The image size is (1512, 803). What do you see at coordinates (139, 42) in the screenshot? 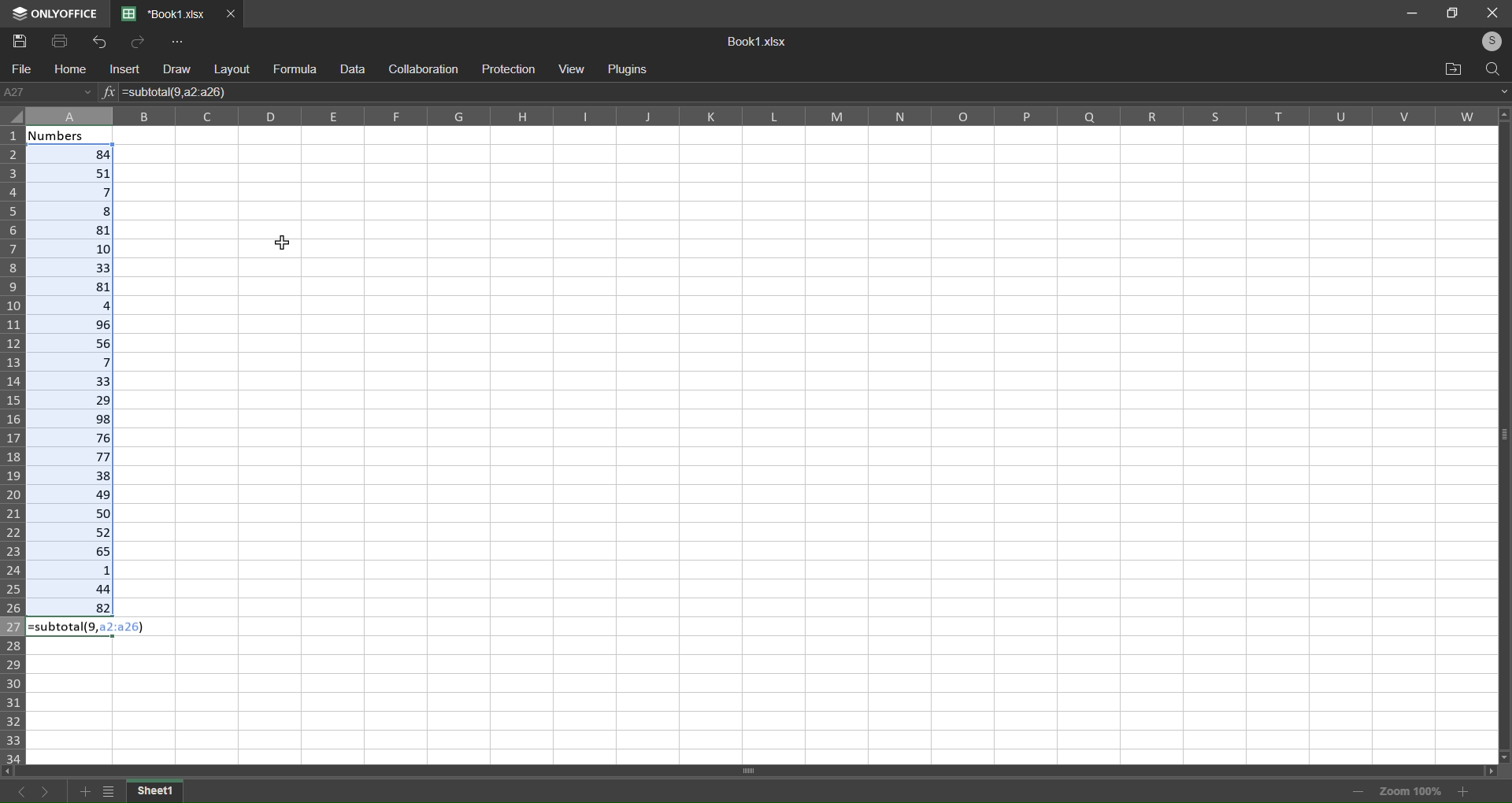
I see `Redo` at bounding box center [139, 42].